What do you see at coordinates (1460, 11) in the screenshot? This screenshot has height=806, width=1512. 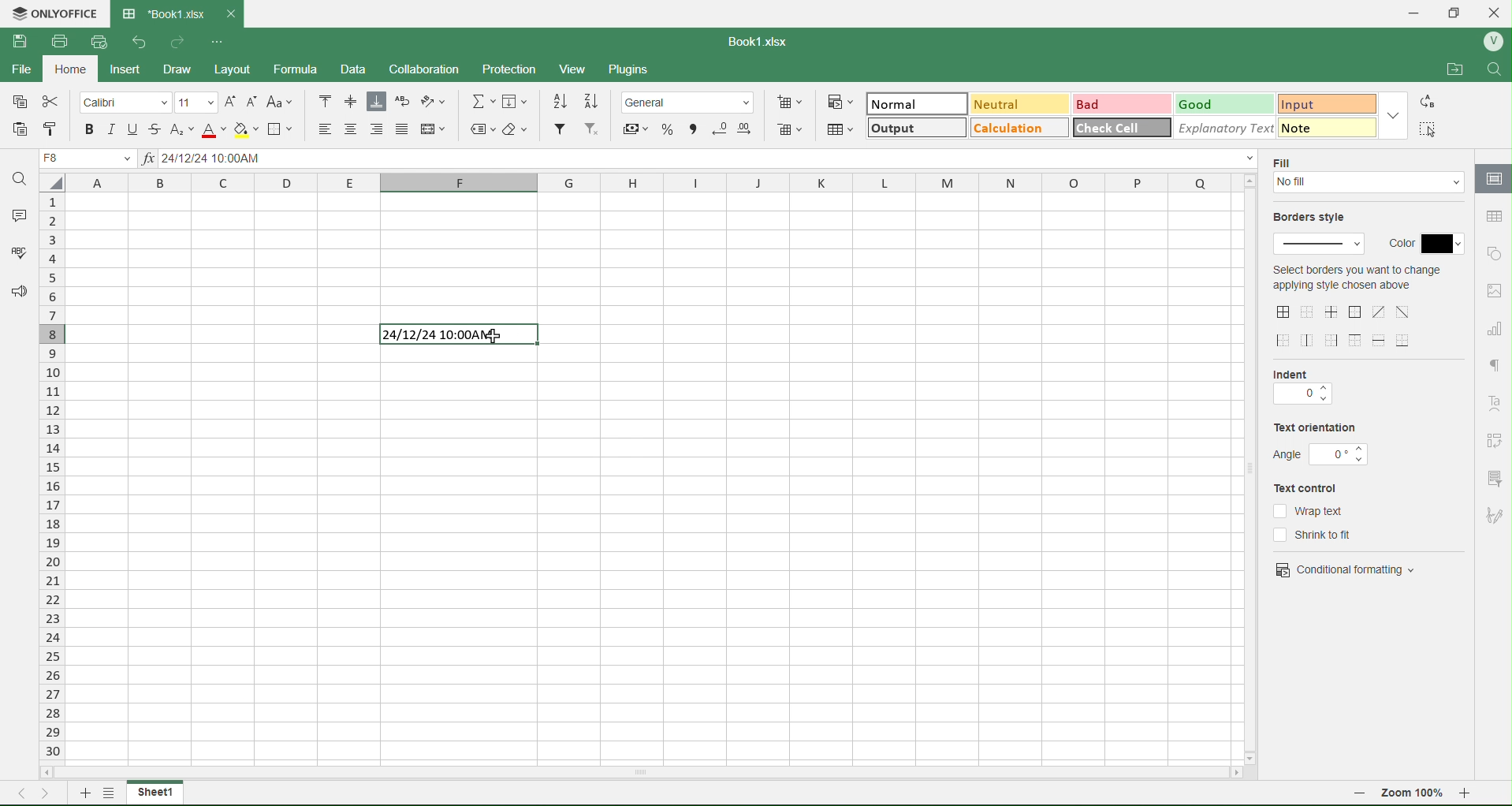 I see `maximize` at bounding box center [1460, 11].